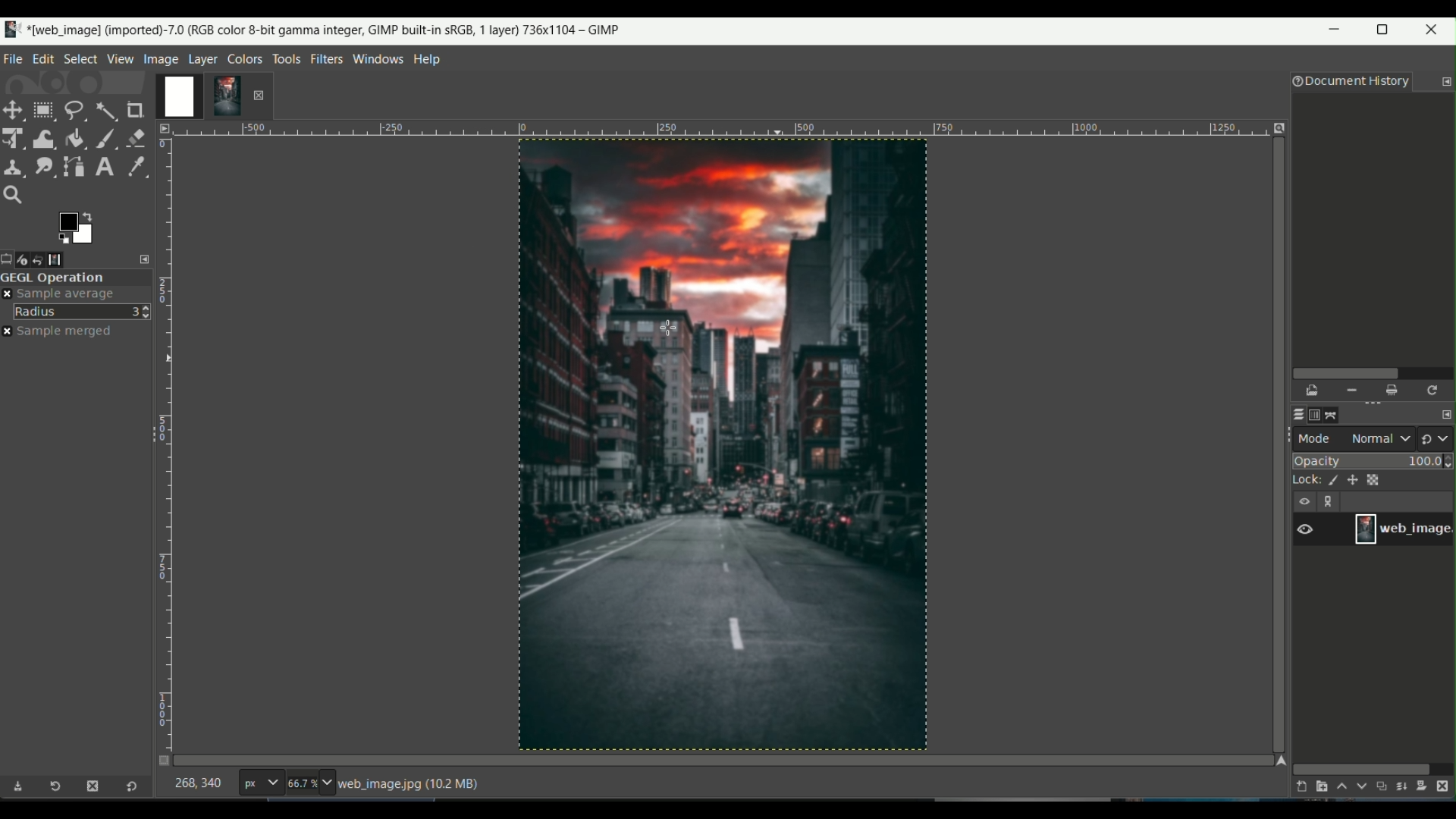 The height and width of the screenshot is (819, 1456). I want to click on color picker tool, so click(133, 165).